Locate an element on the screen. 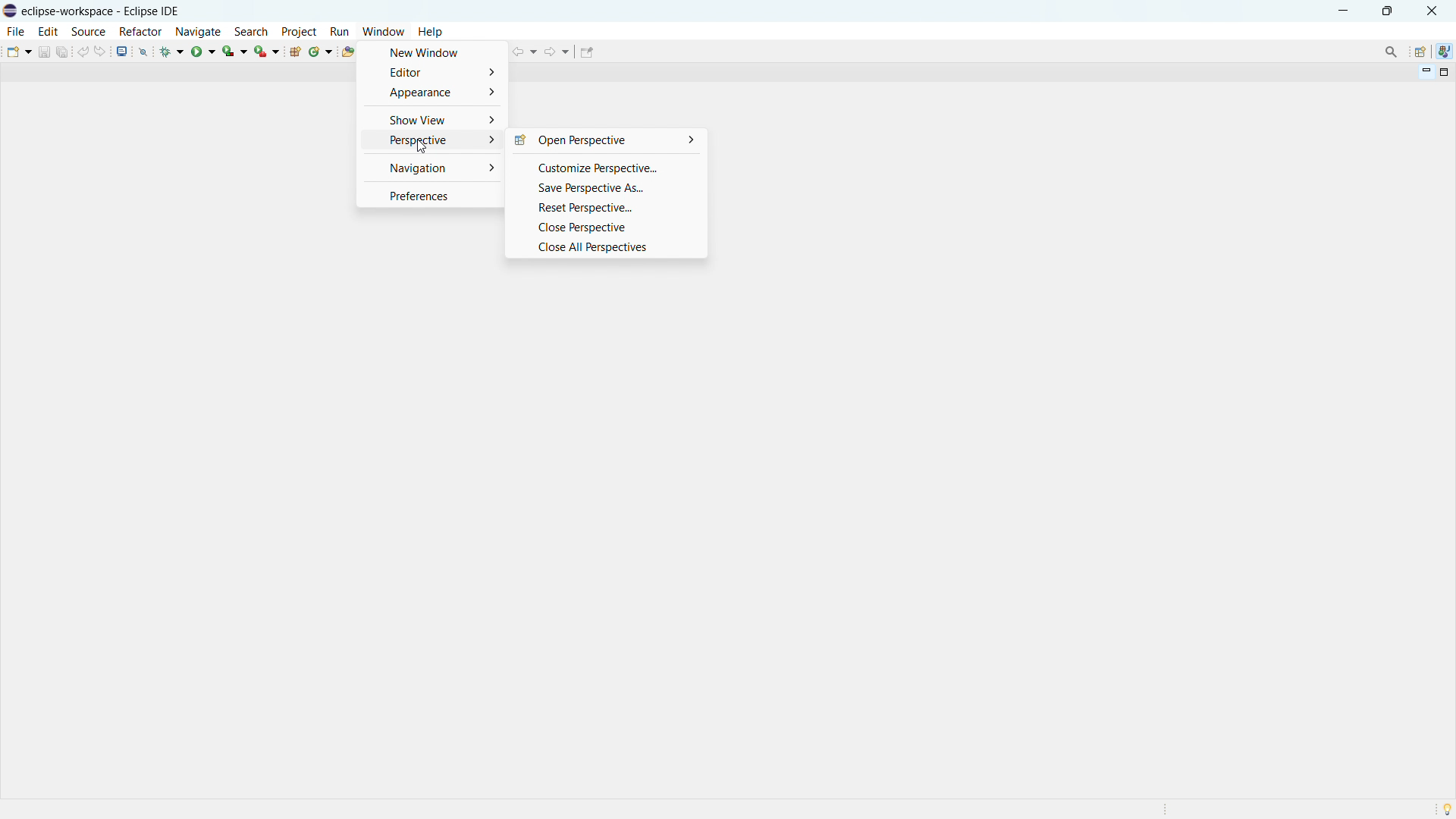  customize perspective is located at coordinates (604, 167).